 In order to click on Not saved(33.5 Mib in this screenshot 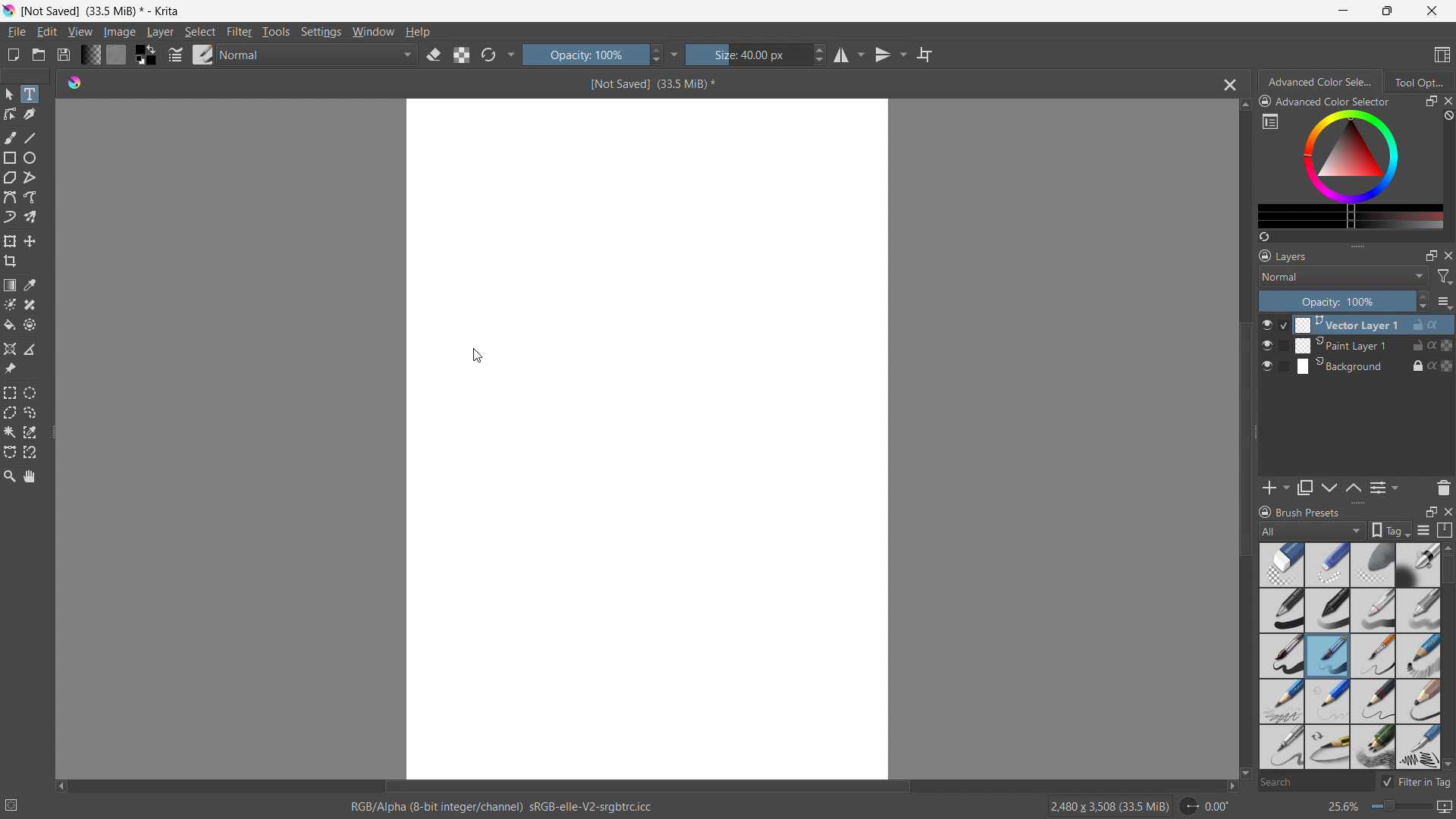, I will do `click(648, 83)`.